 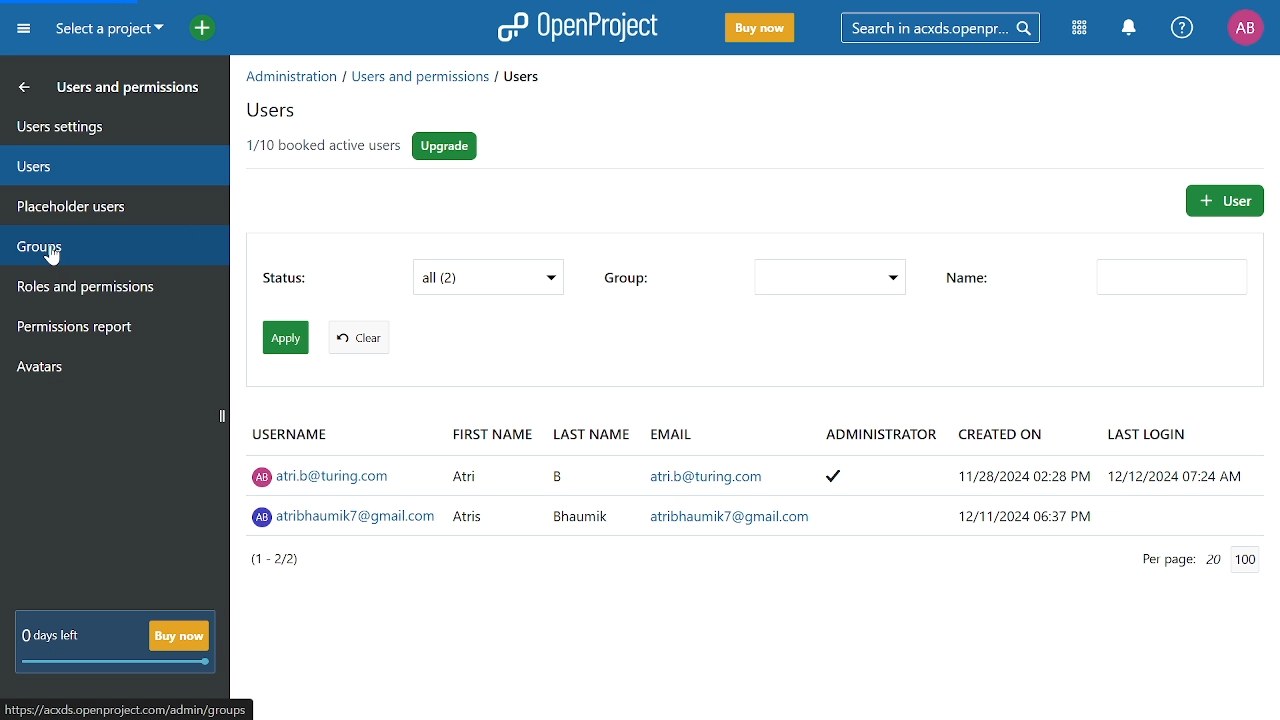 I want to click on User "atri.b@turing,com", so click(x=761, y=474).